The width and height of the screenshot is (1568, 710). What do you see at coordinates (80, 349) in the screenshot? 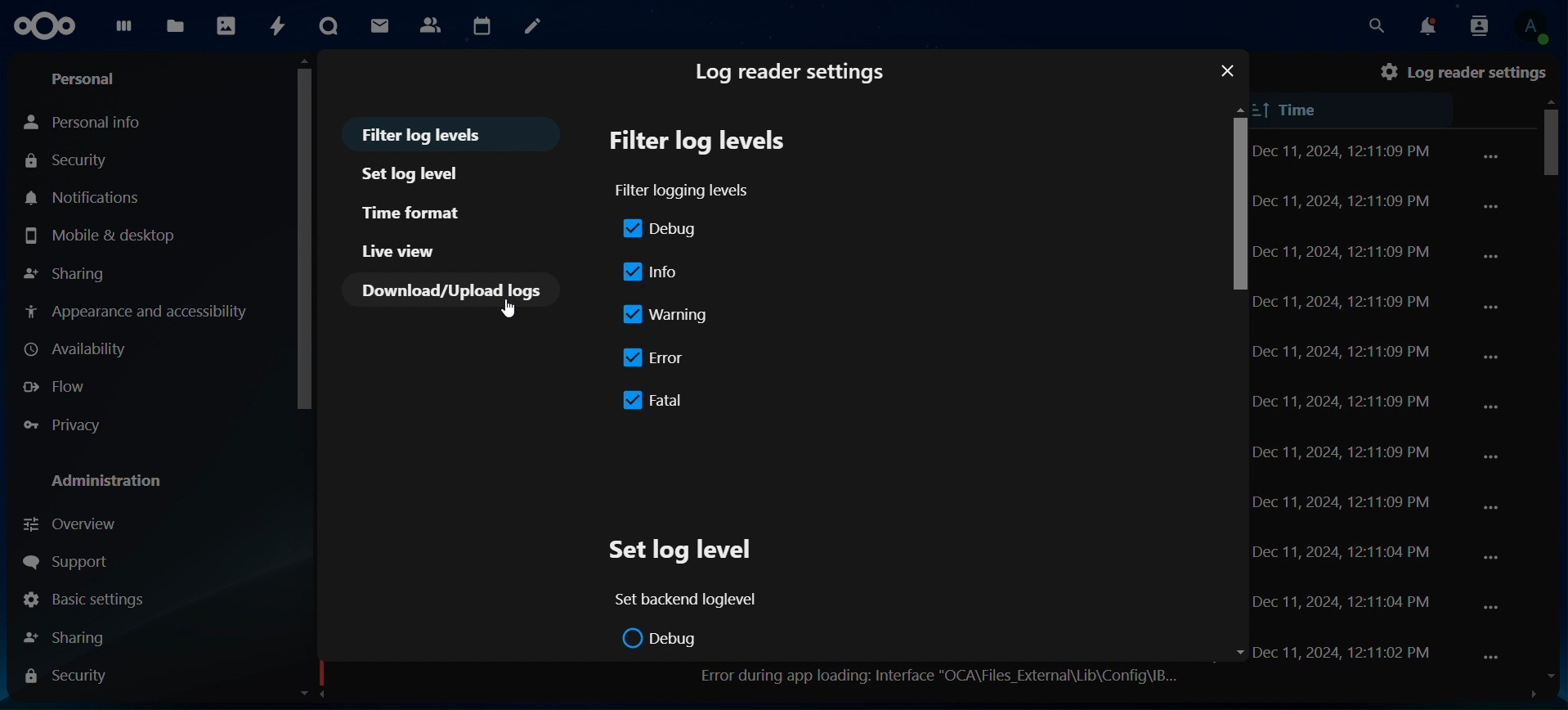
I see `availabilty` at bounding box center [80, 349].